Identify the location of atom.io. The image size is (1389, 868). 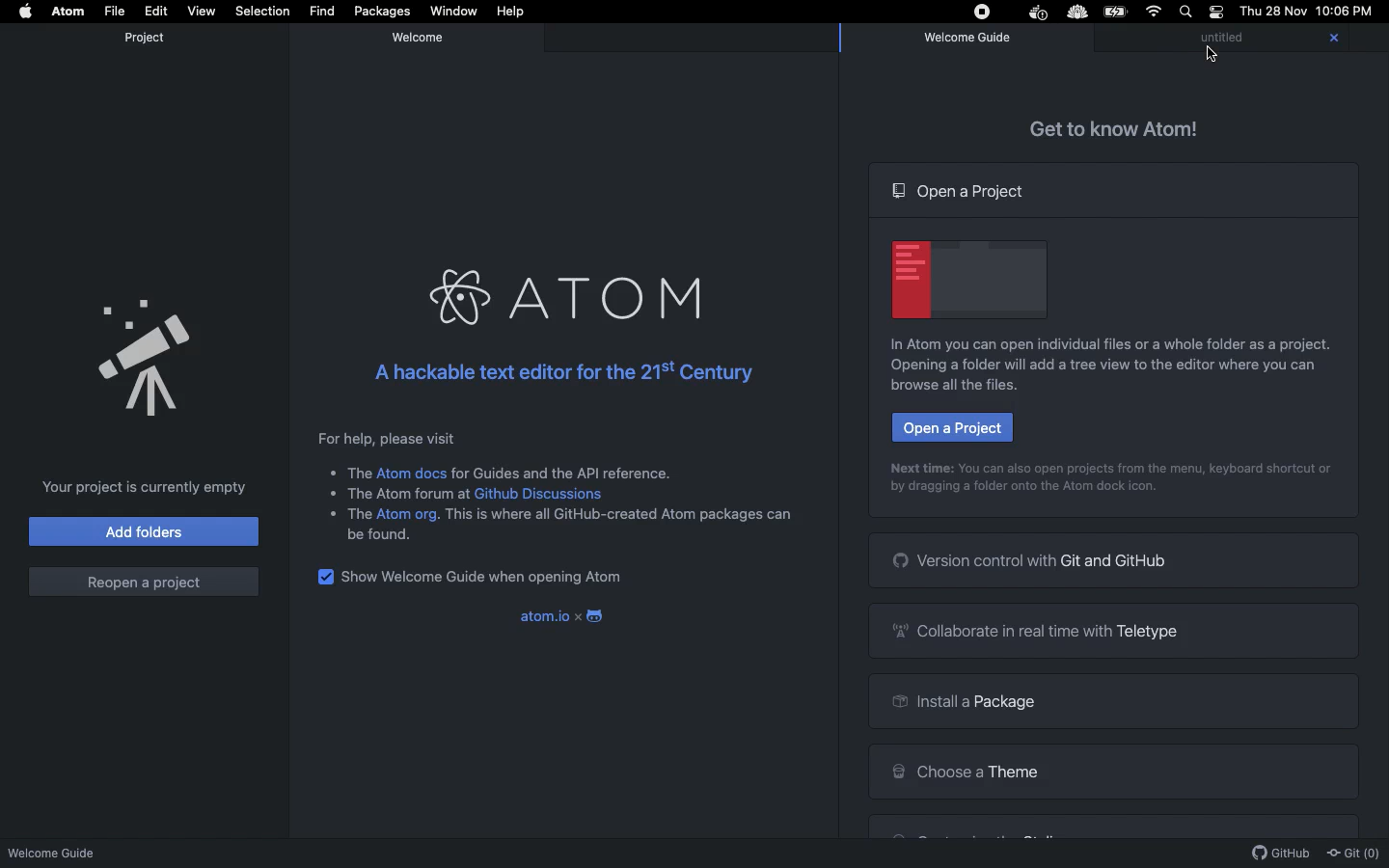
(533, 615).